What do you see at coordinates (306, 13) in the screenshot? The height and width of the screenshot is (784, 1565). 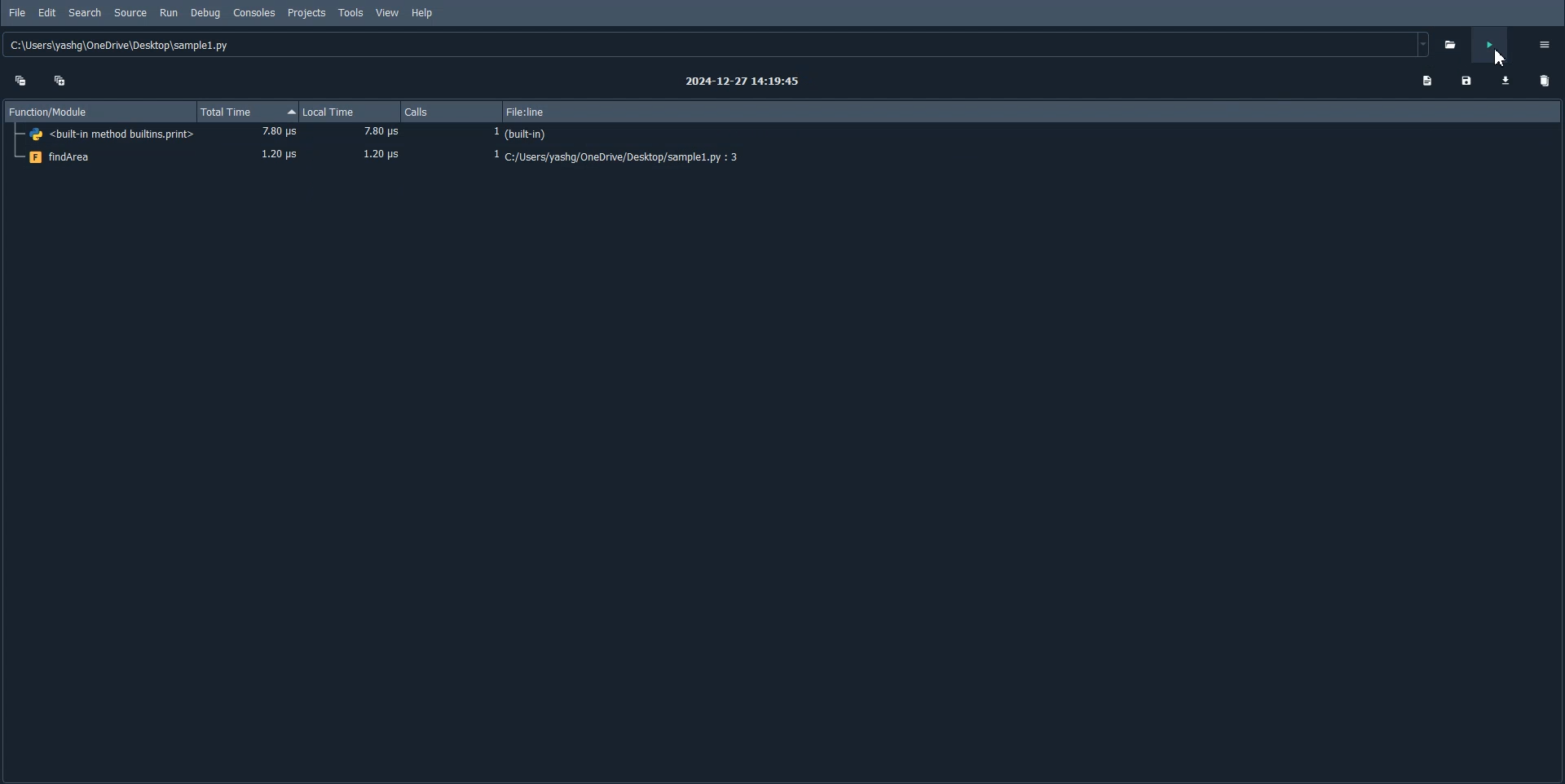 I see `Projects` at bounding box center [306, 13].